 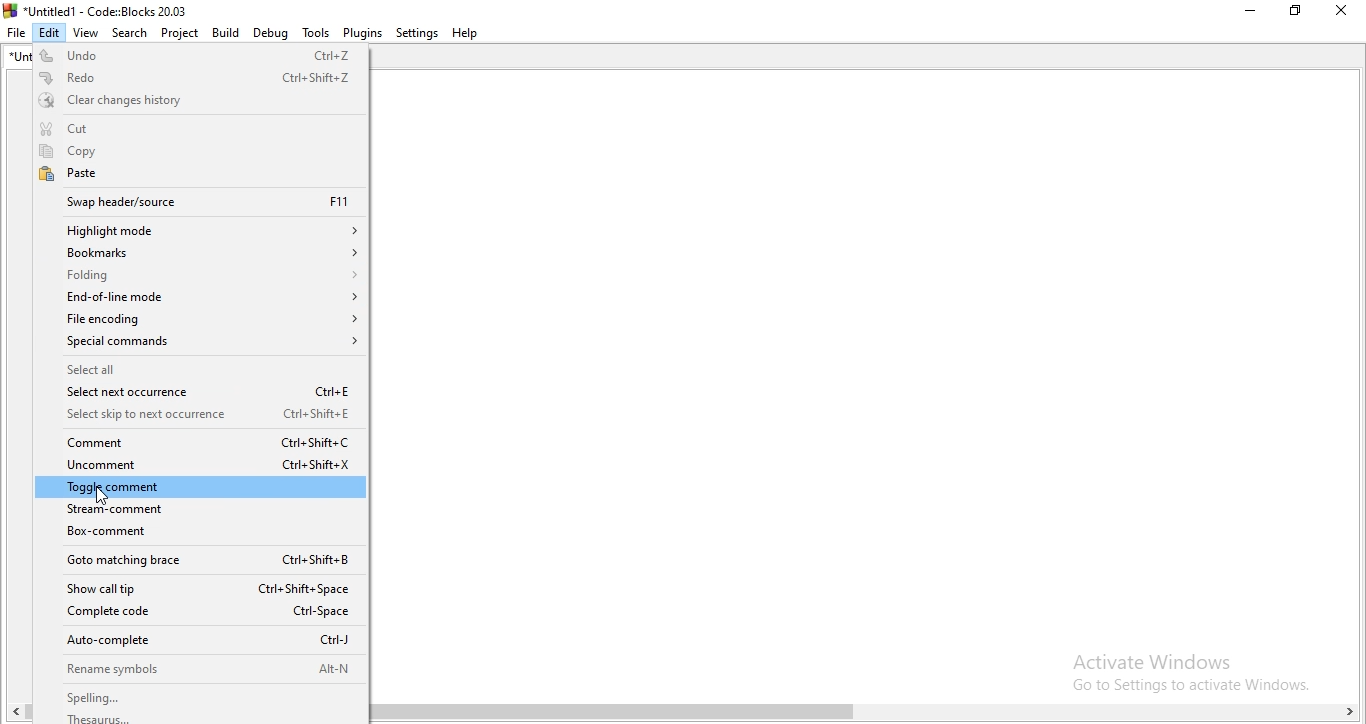 I want to click on Paste, so click(x=201, y=174).